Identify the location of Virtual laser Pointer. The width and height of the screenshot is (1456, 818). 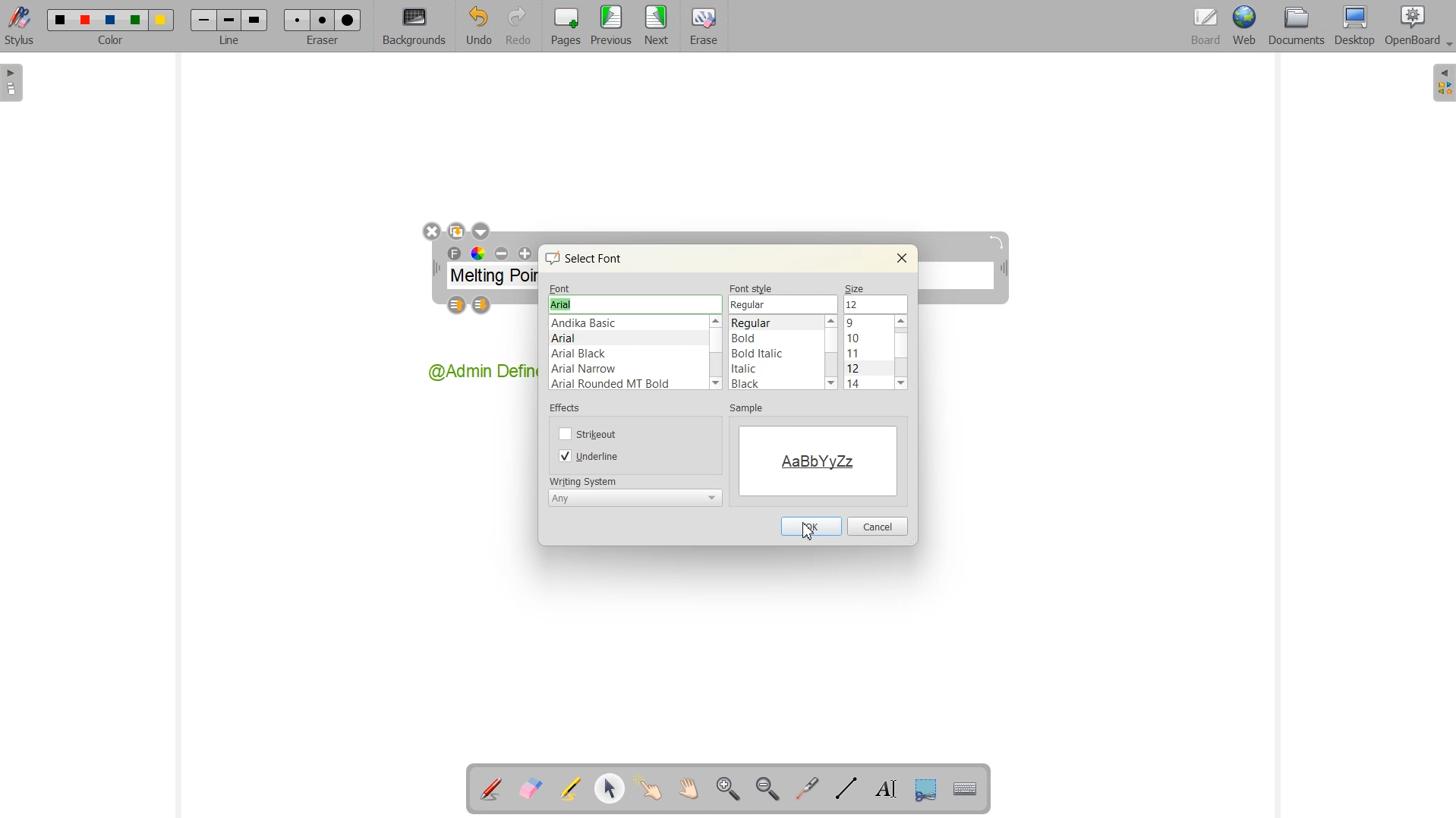
(807, 788).